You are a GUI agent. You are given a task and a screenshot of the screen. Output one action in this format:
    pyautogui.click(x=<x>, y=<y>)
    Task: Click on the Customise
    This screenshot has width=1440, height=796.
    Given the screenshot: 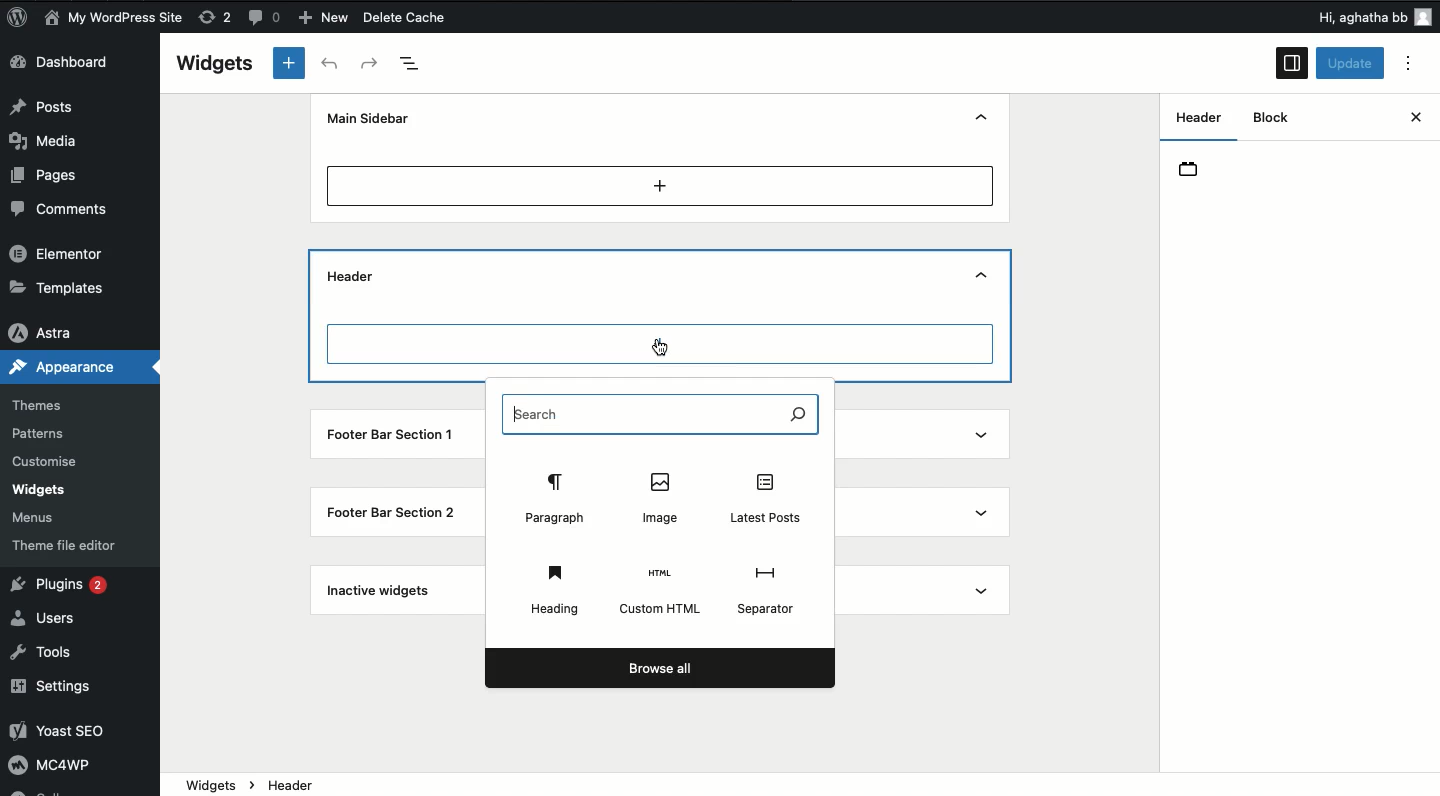 What is the action you would take?
    pyautogui.click(x=49, y=460)
    